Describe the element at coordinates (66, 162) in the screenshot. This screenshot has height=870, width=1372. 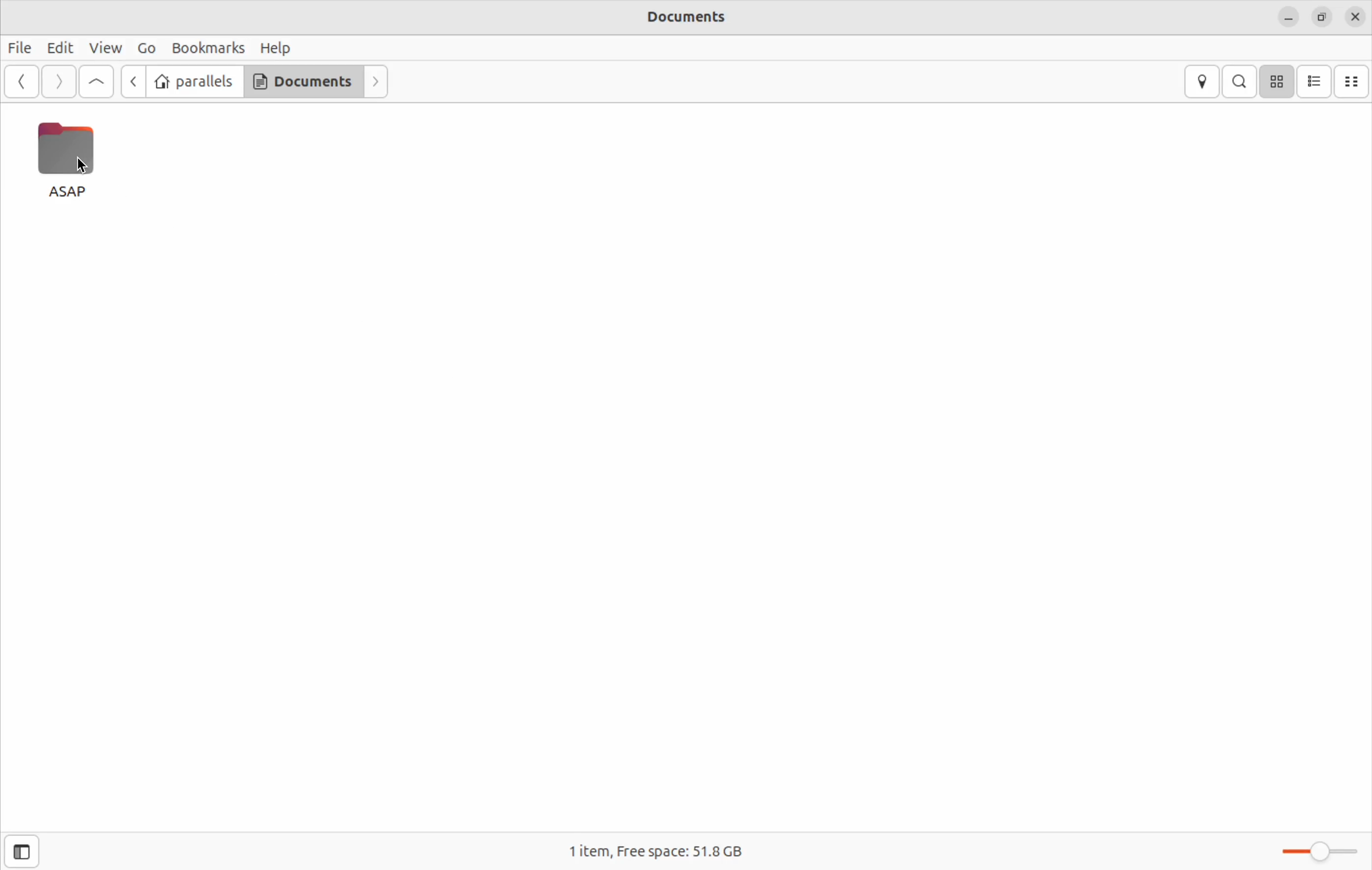
I see `ASAP` at that location.